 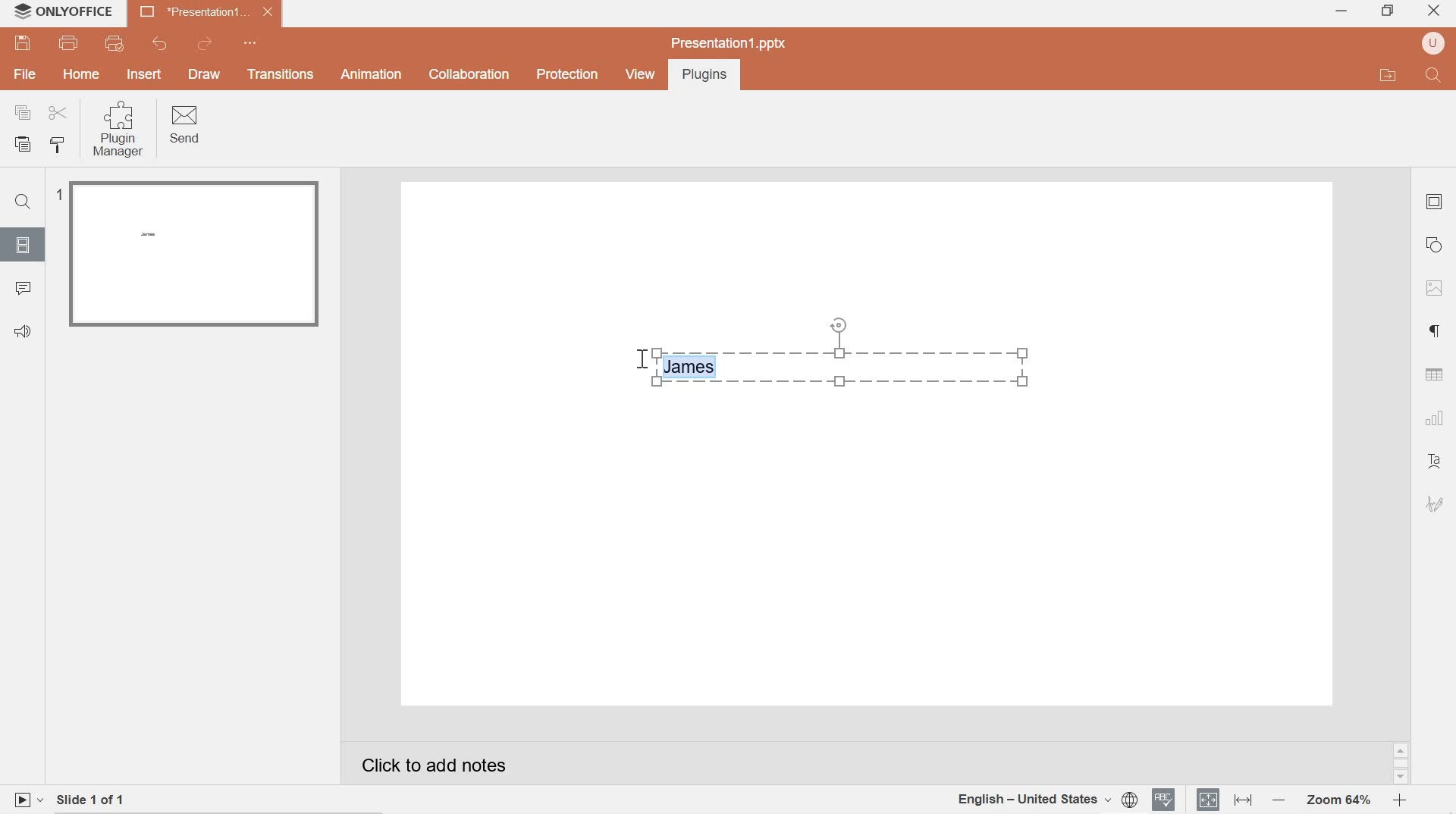 What do you see at coordinates (1387, 9) in the screenshot?
I see `restore down` at bounding box center [1387, 9].